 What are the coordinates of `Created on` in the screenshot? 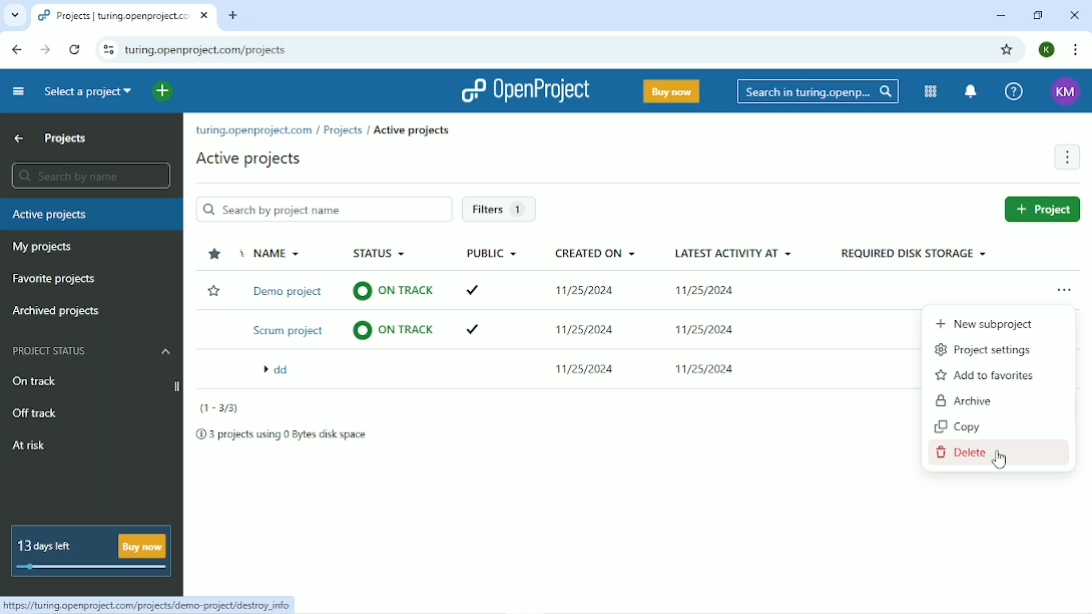 It's located at (597, 254).